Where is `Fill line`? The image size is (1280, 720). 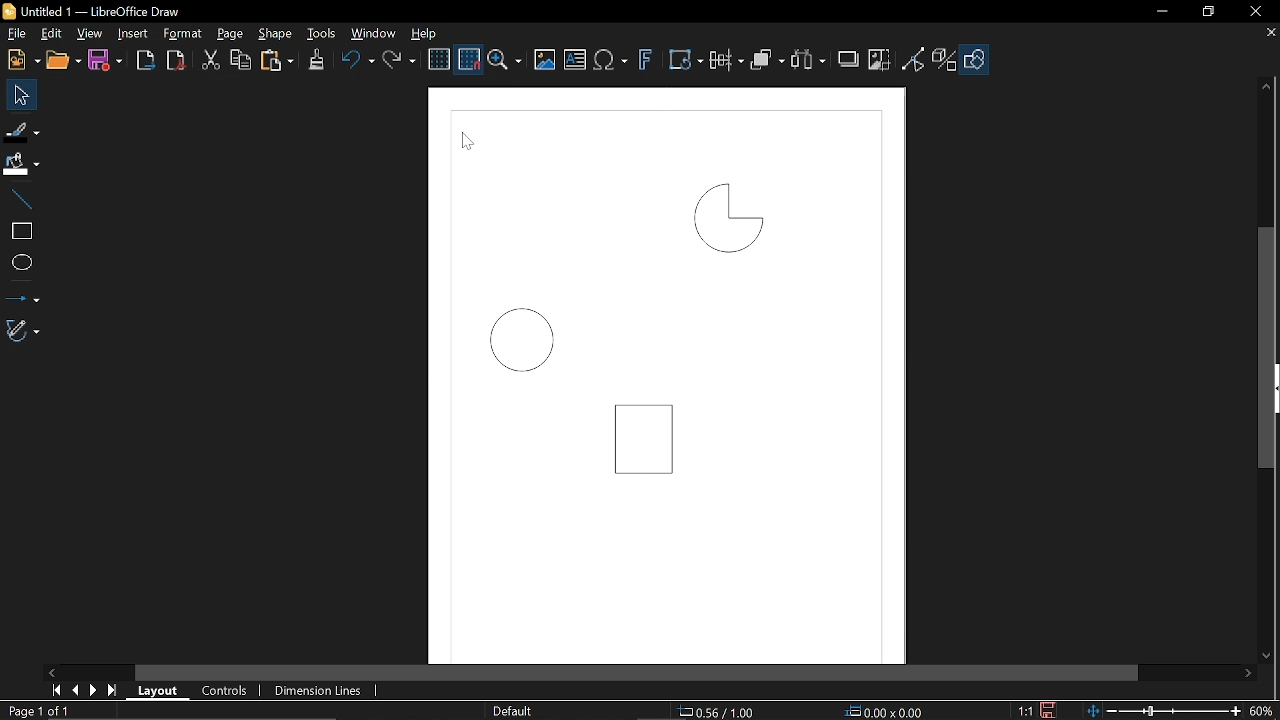
Fill line is located at coordinates (22, 130).